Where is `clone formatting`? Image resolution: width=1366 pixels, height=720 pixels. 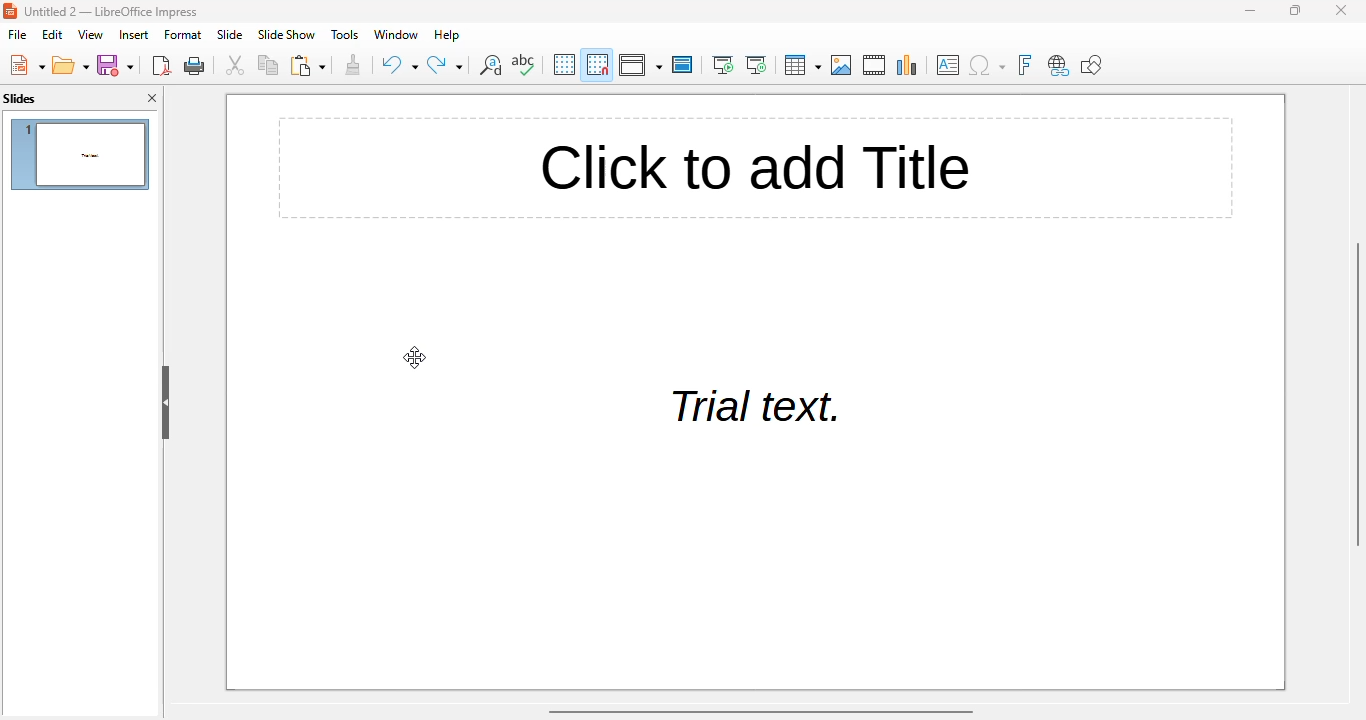
clone formatting is located at coordinates (353, 64).